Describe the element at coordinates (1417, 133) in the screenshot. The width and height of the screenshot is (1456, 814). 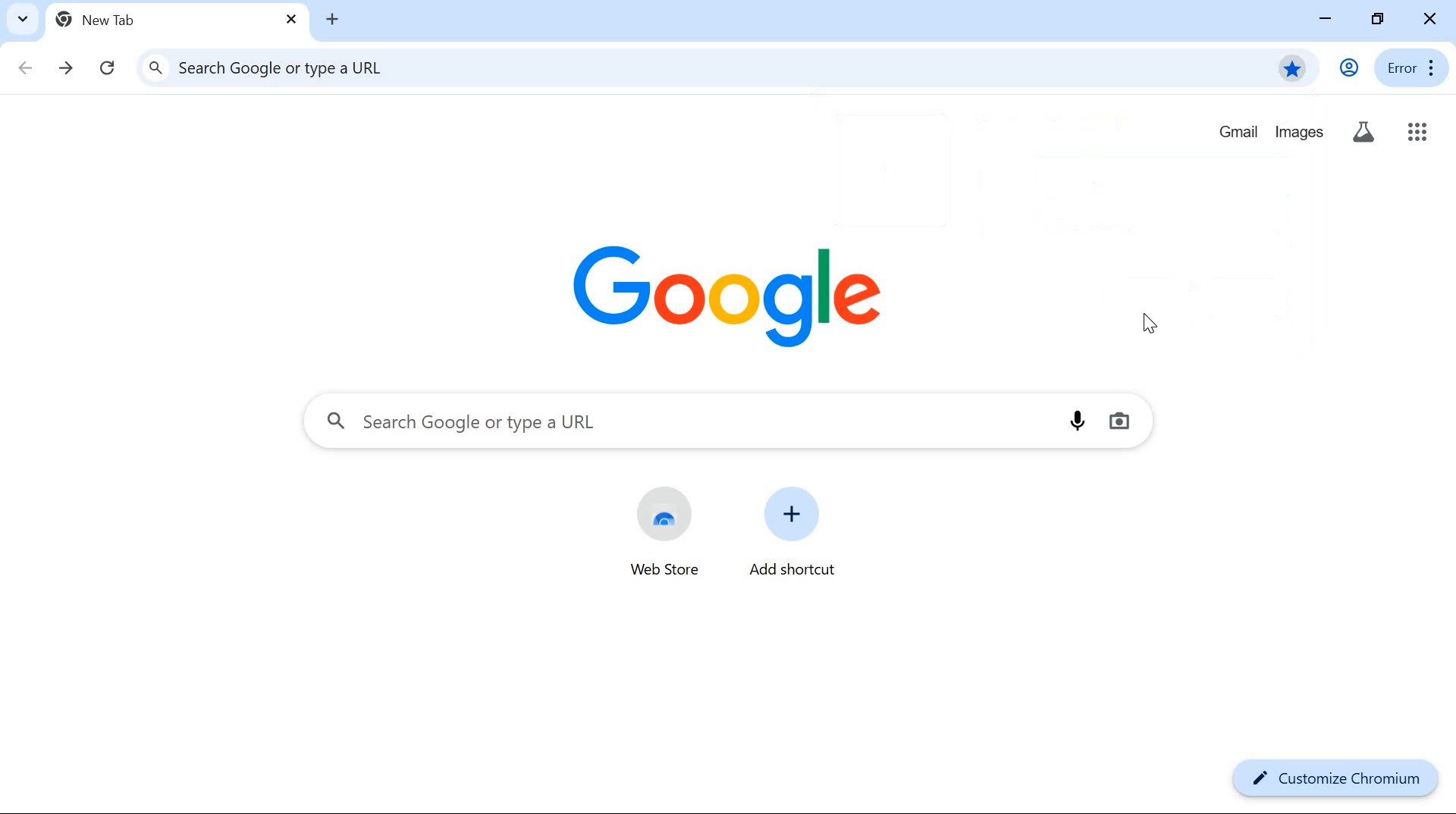
I see `google apps` at that location.